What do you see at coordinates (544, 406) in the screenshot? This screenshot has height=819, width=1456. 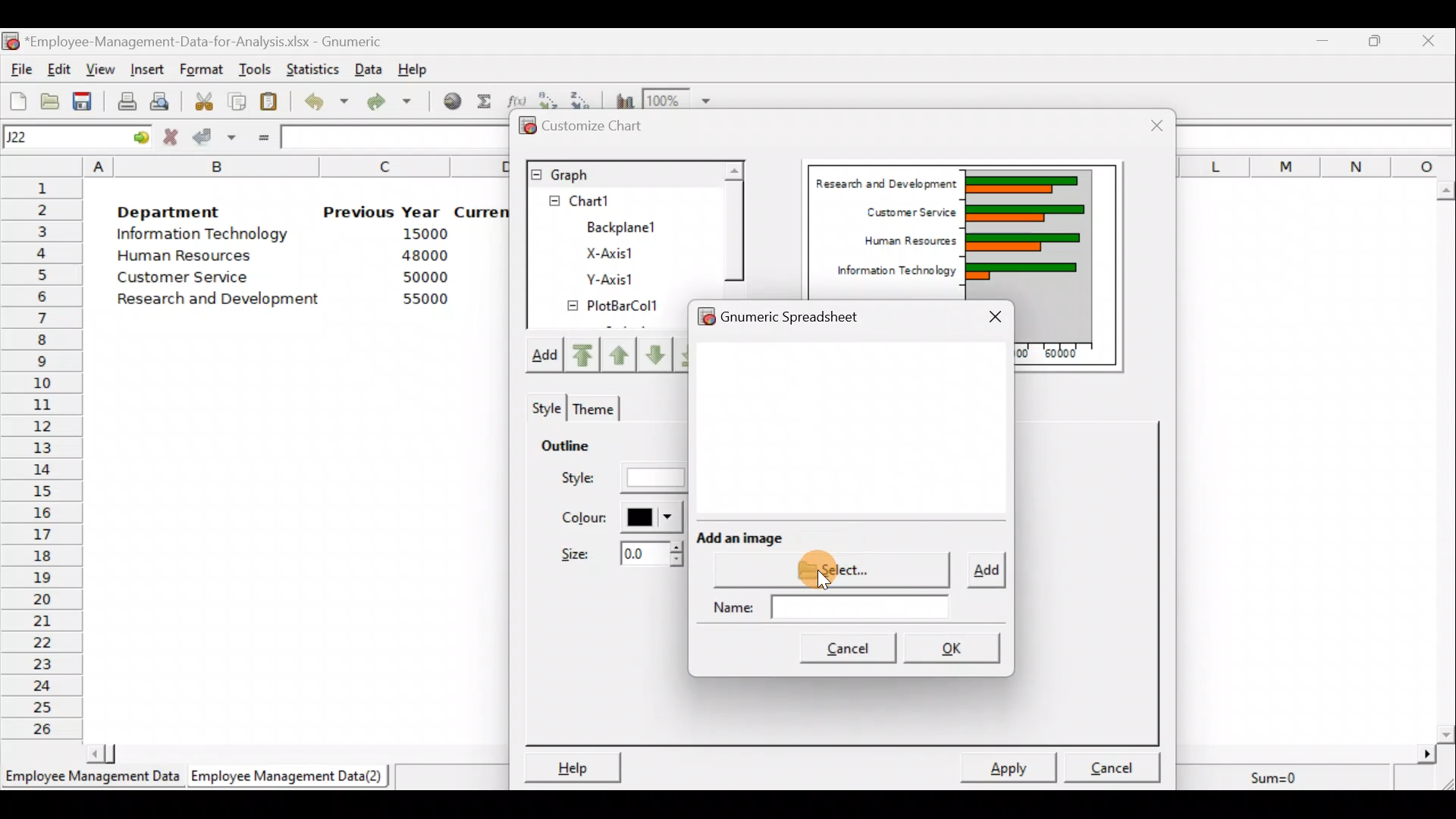 I see `Style` at bounding box center [544, 406].